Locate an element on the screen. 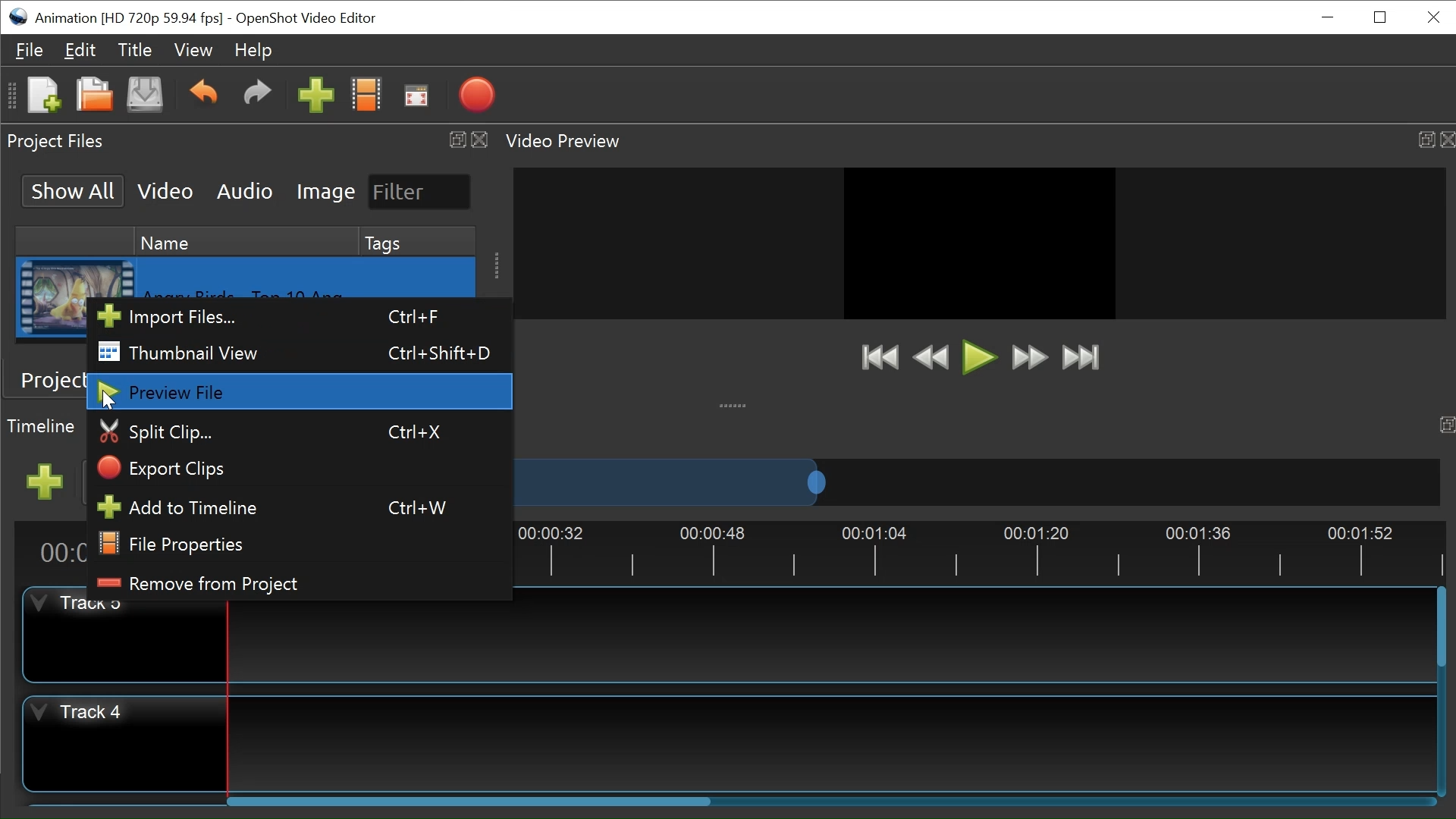  Save Project is located at coordinates (144, 94).